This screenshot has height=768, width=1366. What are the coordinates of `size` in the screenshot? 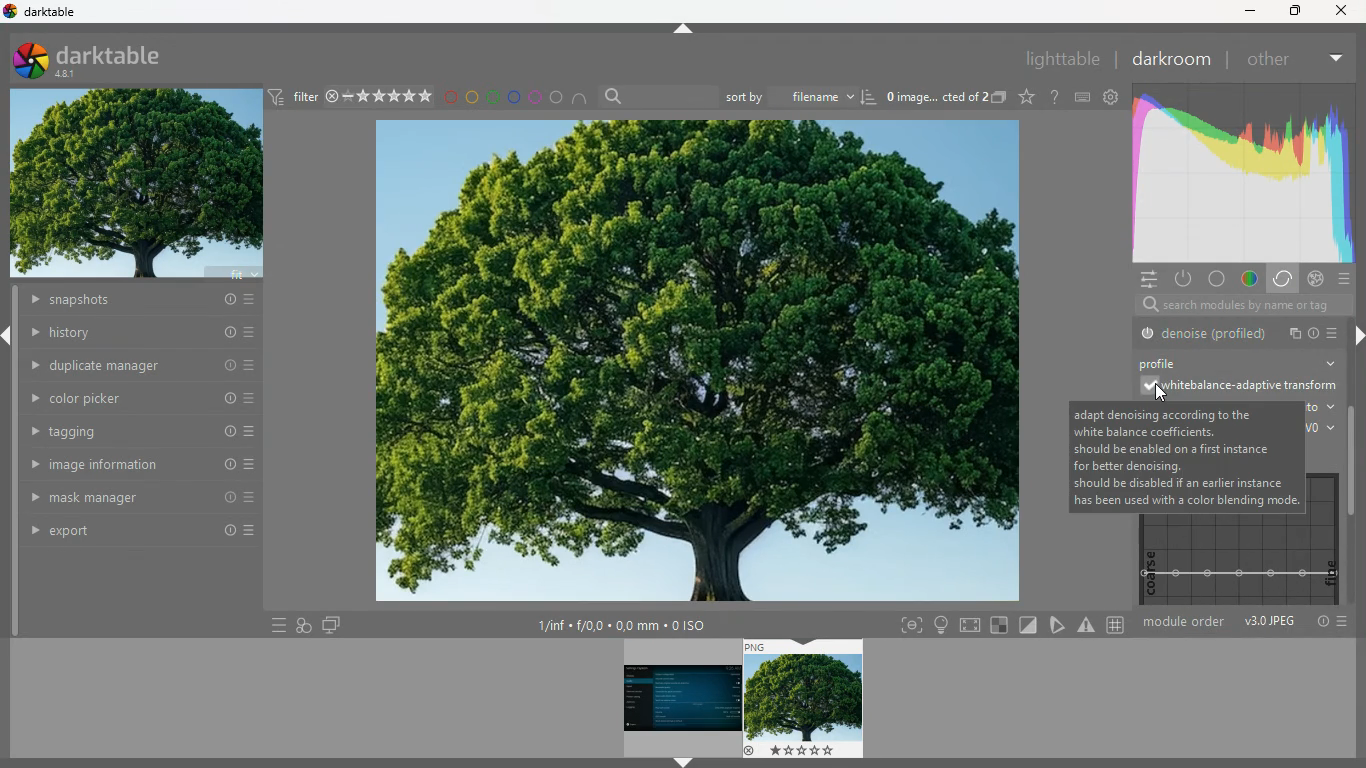 It's located at (621, 626).